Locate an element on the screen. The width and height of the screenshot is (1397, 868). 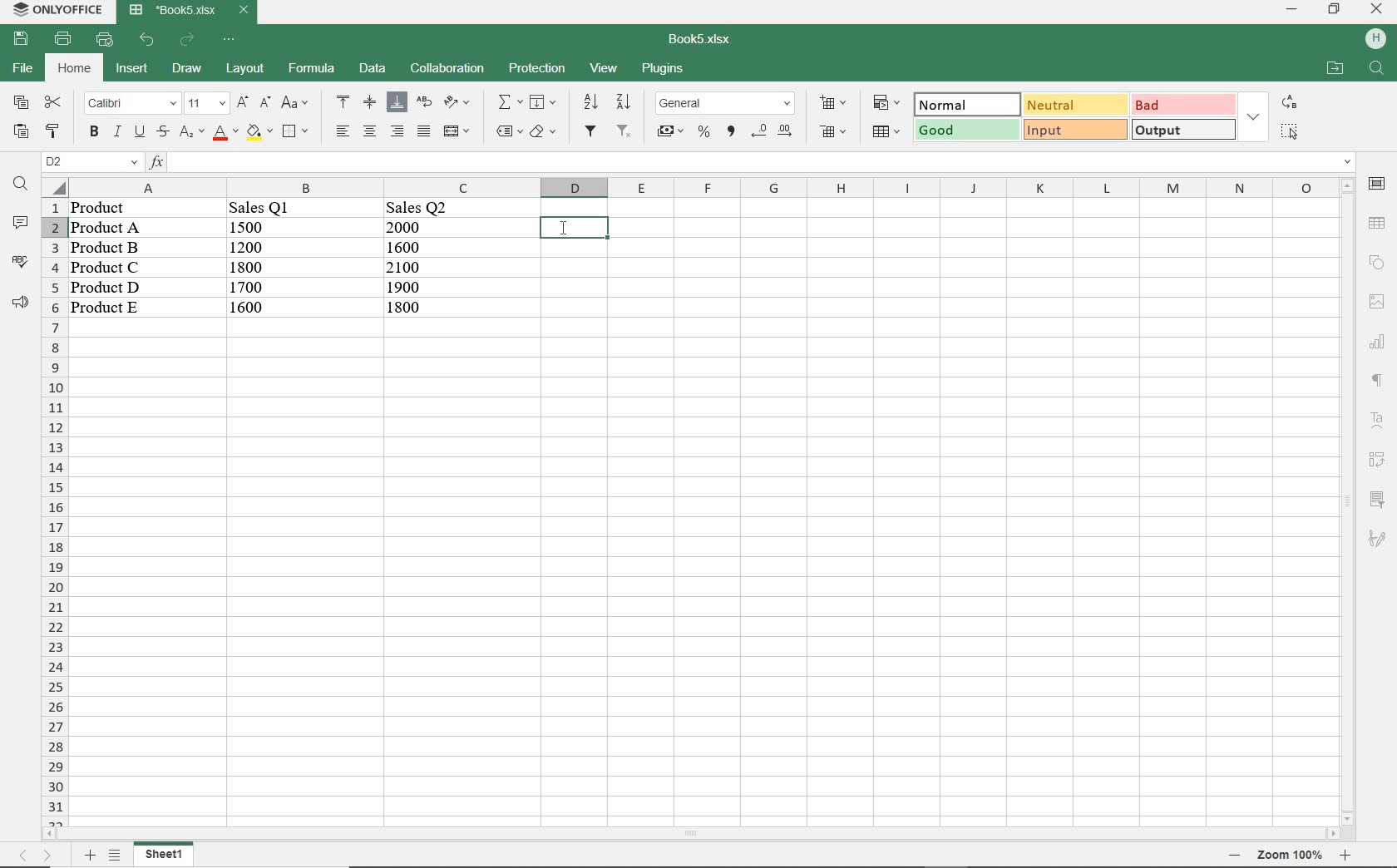
increment font size is located at coordinates (241, 102).